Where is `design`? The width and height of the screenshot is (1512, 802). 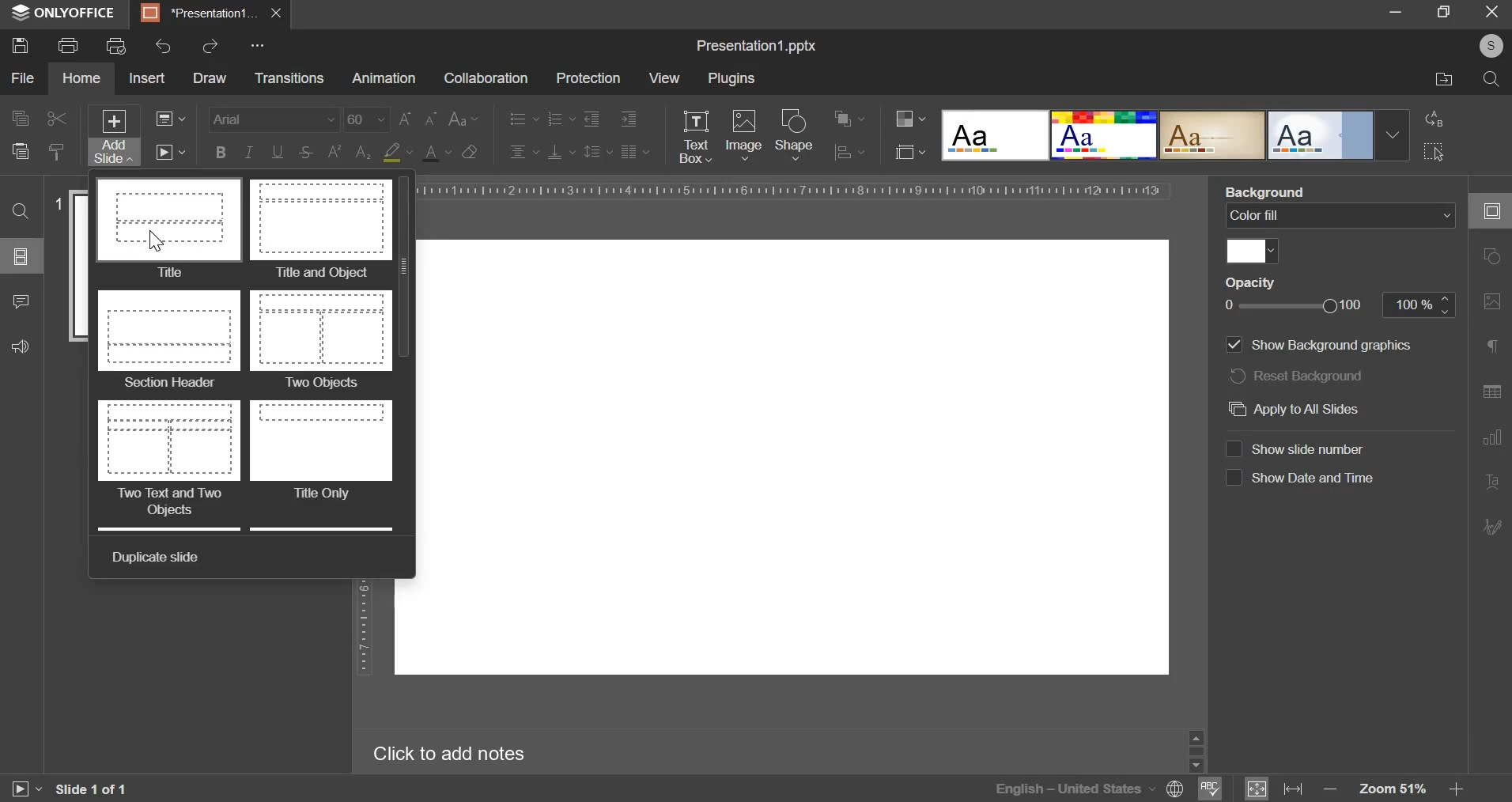 design is located at coordinates (1175, 134).